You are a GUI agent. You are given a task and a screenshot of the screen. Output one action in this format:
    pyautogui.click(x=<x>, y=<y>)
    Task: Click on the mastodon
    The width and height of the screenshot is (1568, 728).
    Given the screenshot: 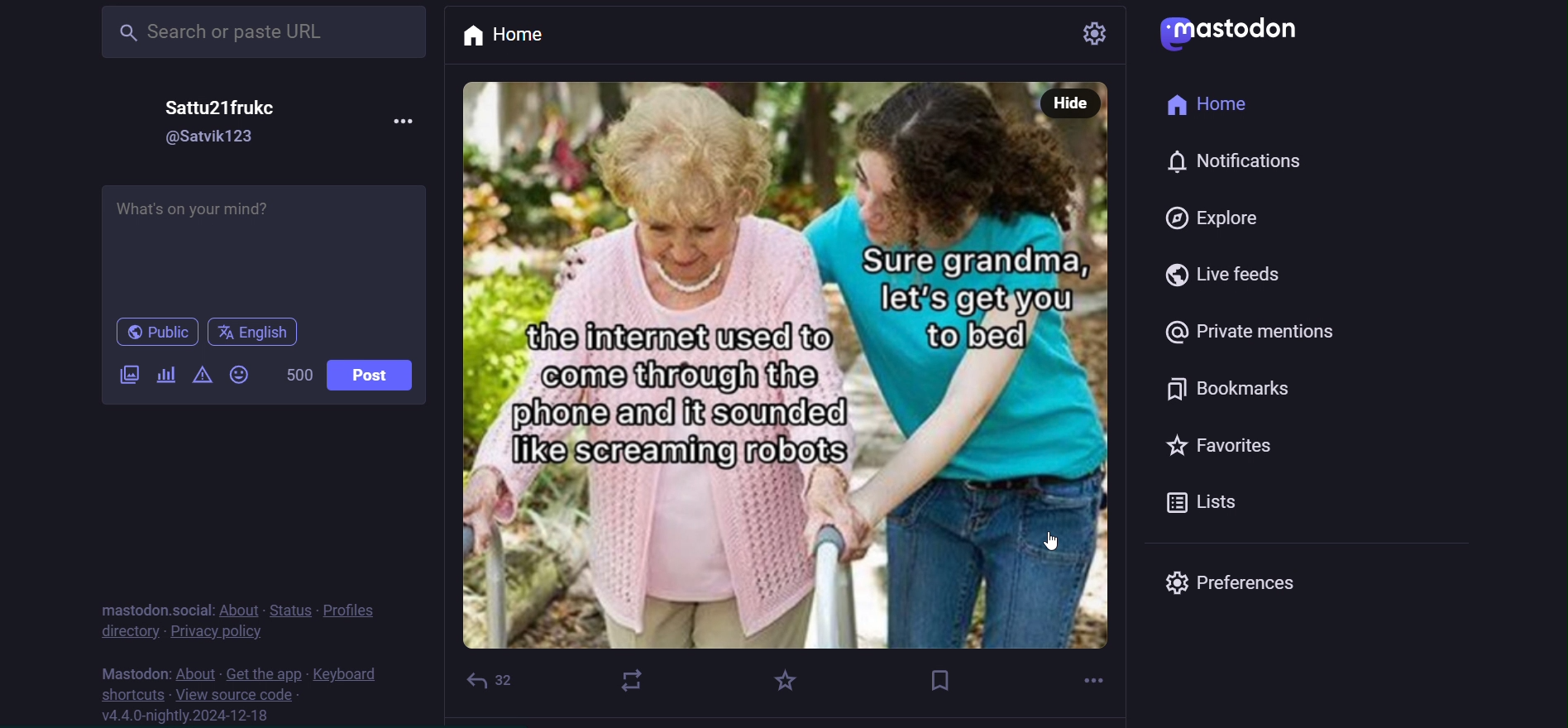 What is the action you would take?
    pyautogui.click(x=131, y=671)
    